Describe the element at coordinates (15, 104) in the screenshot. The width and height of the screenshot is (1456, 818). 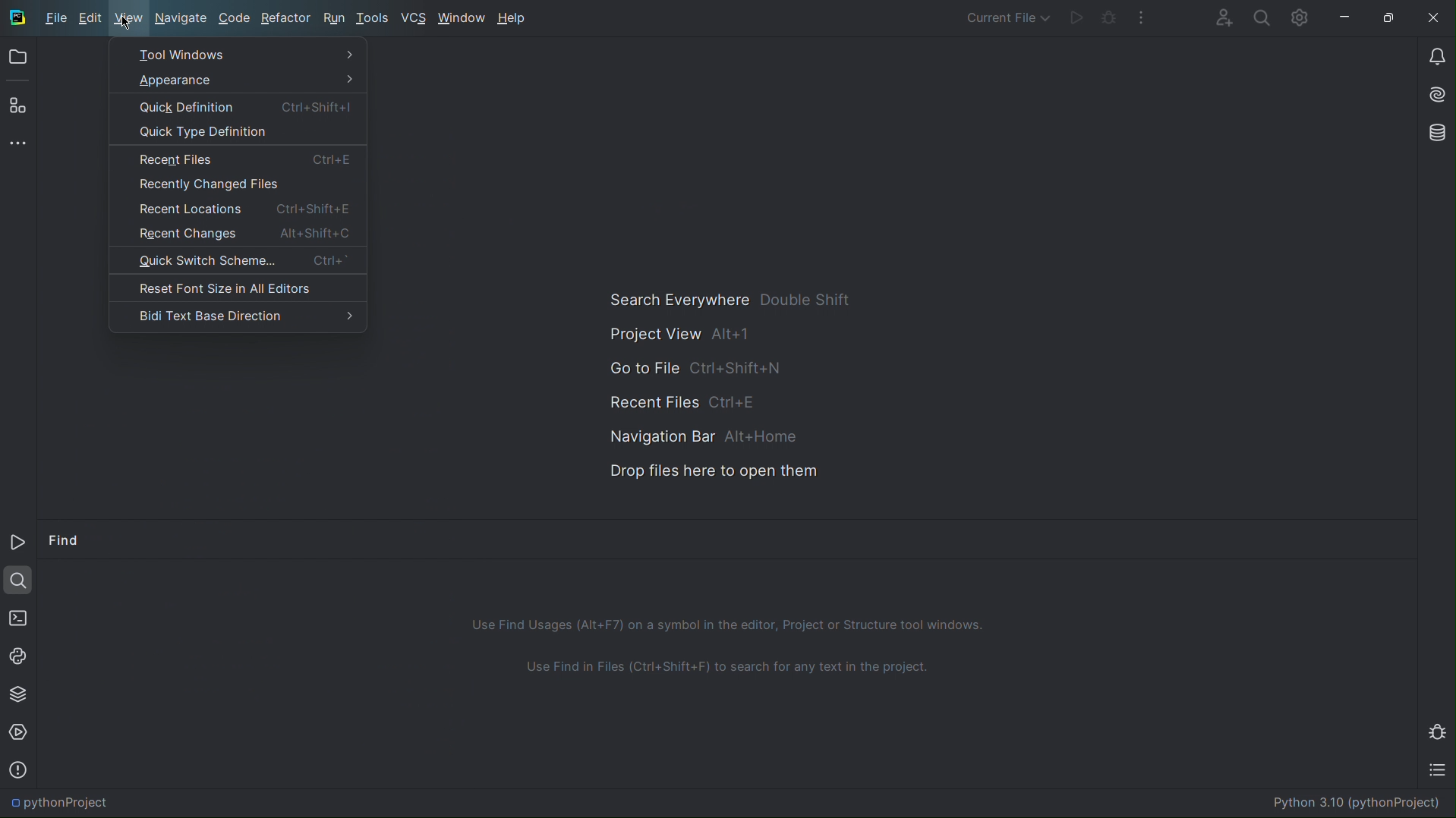
I see `Structure` at that location.